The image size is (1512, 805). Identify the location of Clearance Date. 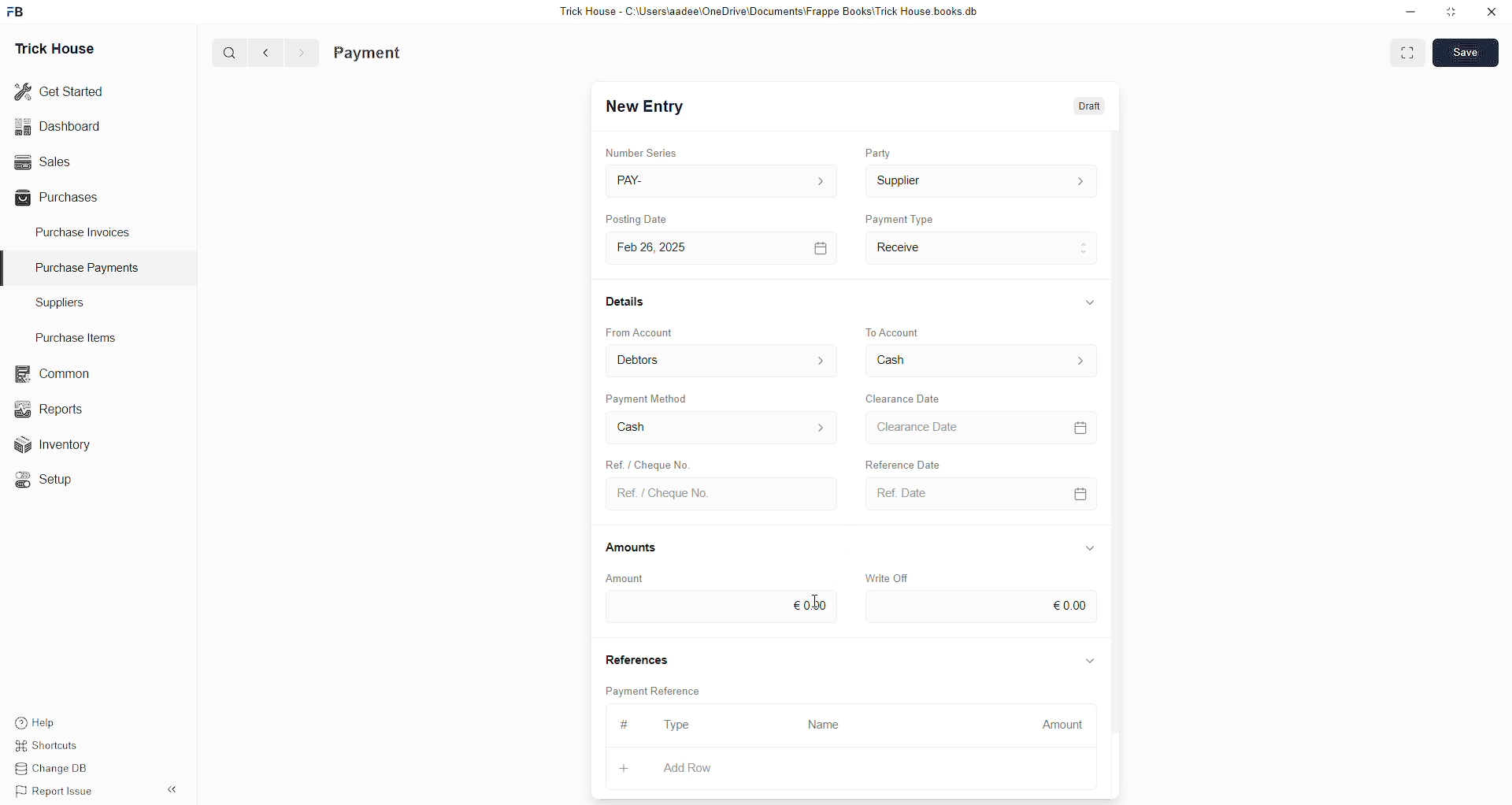
(905, 397).